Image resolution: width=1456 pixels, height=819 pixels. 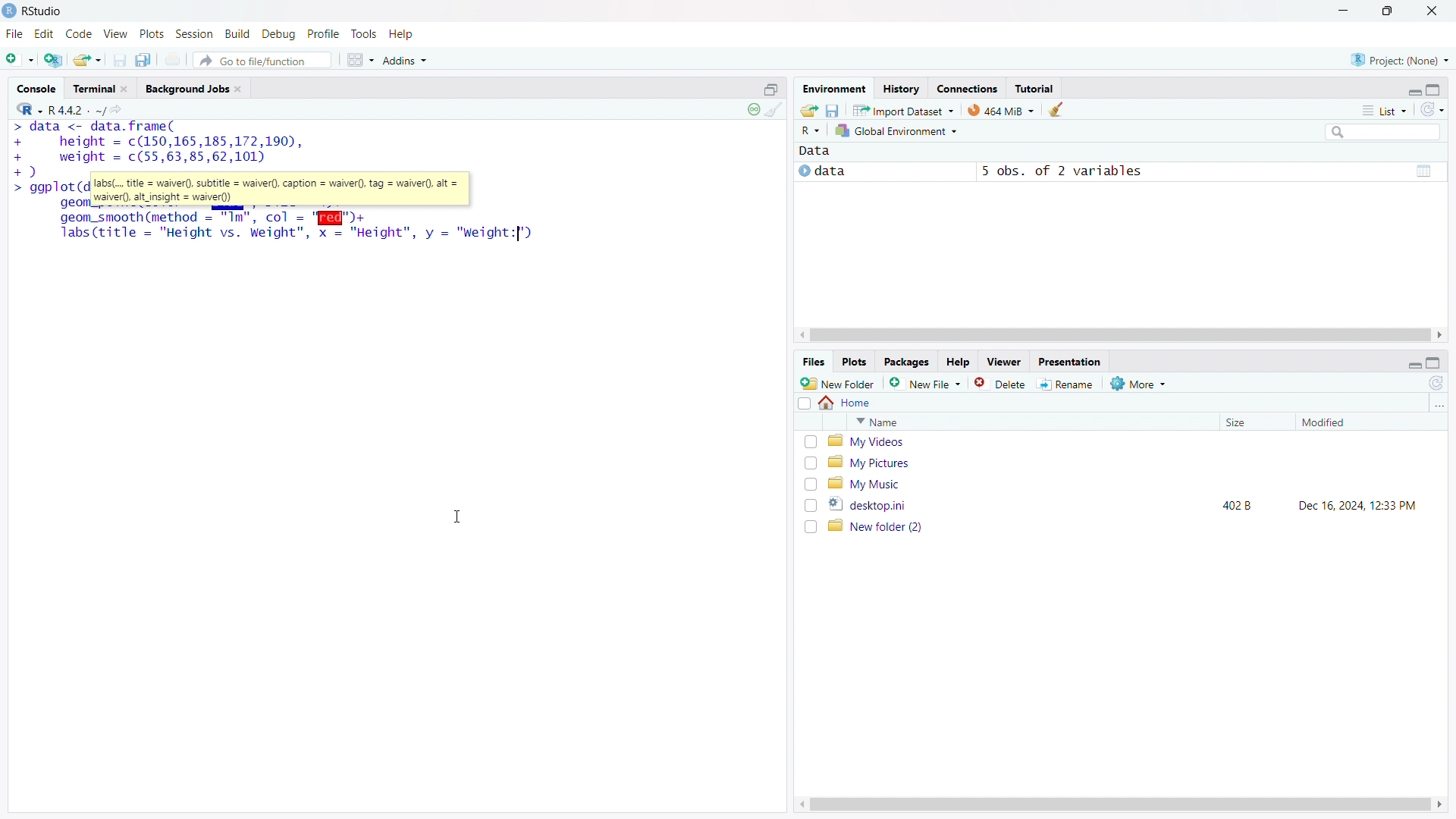 What do you see at coordinates (174, 59) in the screenshot?
I see `print` at bounding box center [174, 59].